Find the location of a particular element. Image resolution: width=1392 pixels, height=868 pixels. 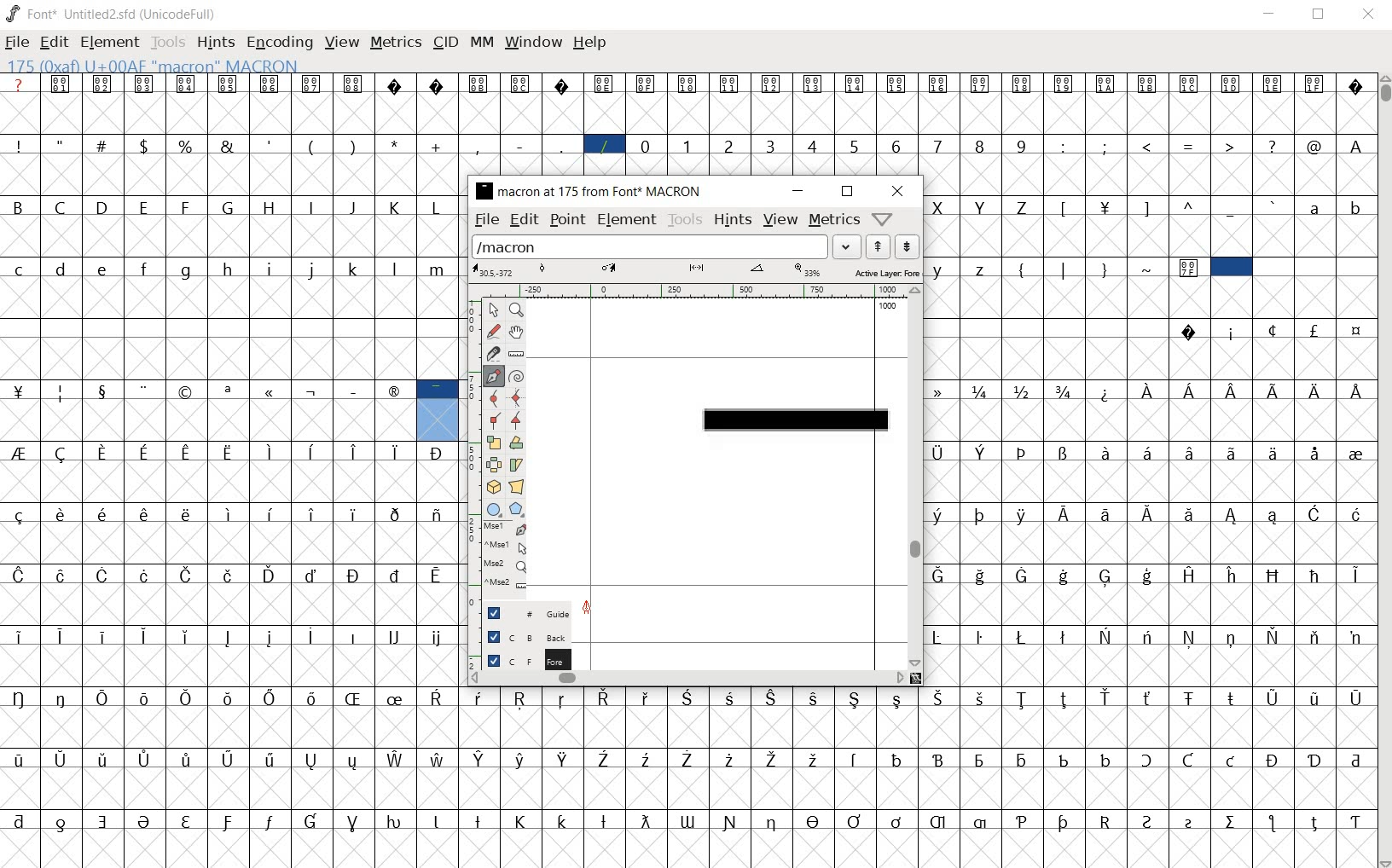

Symbol is located at coordinates (524, 819).